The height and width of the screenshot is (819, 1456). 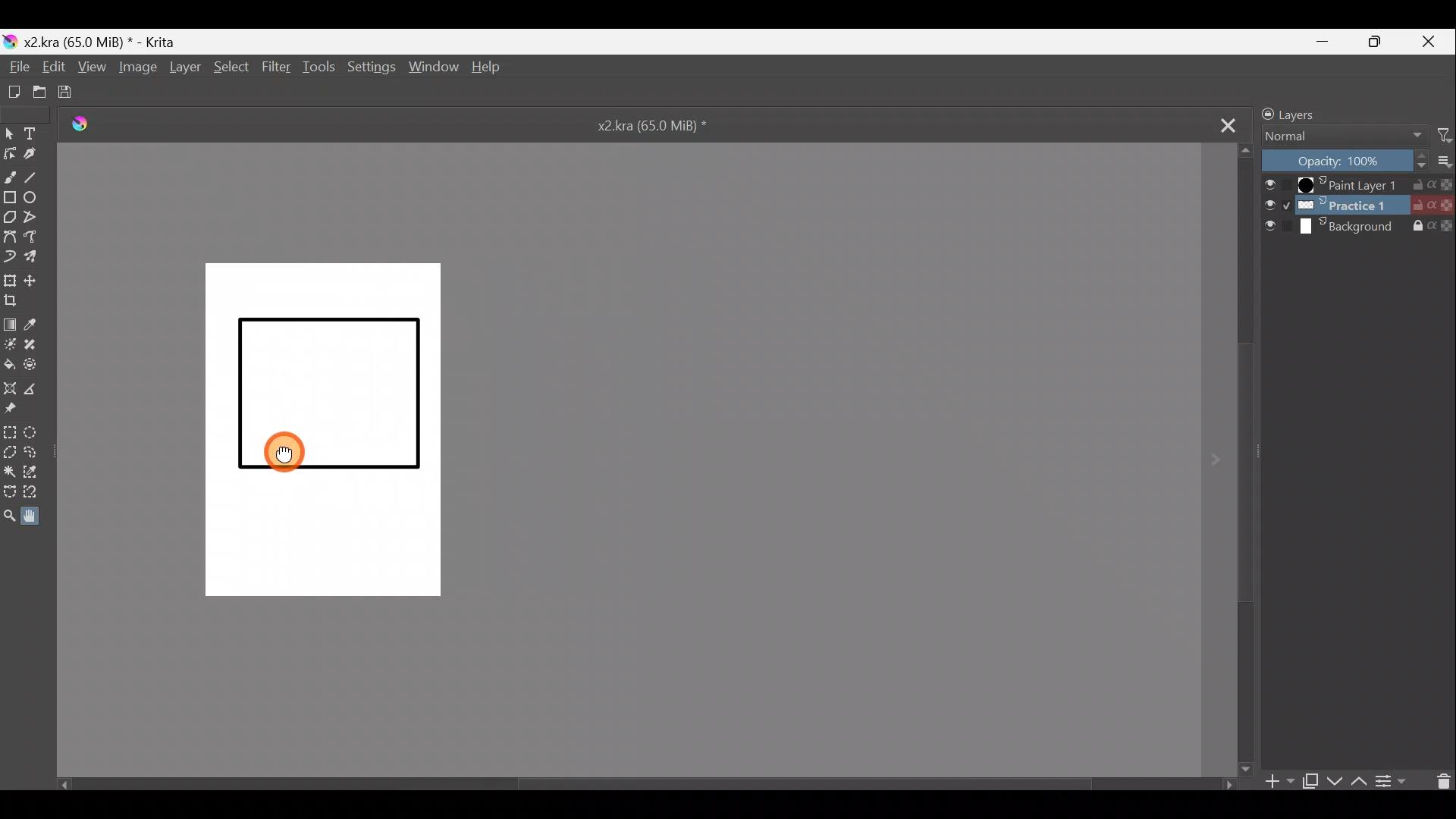 I want to click on Text tool, so click(x=34, y=134).